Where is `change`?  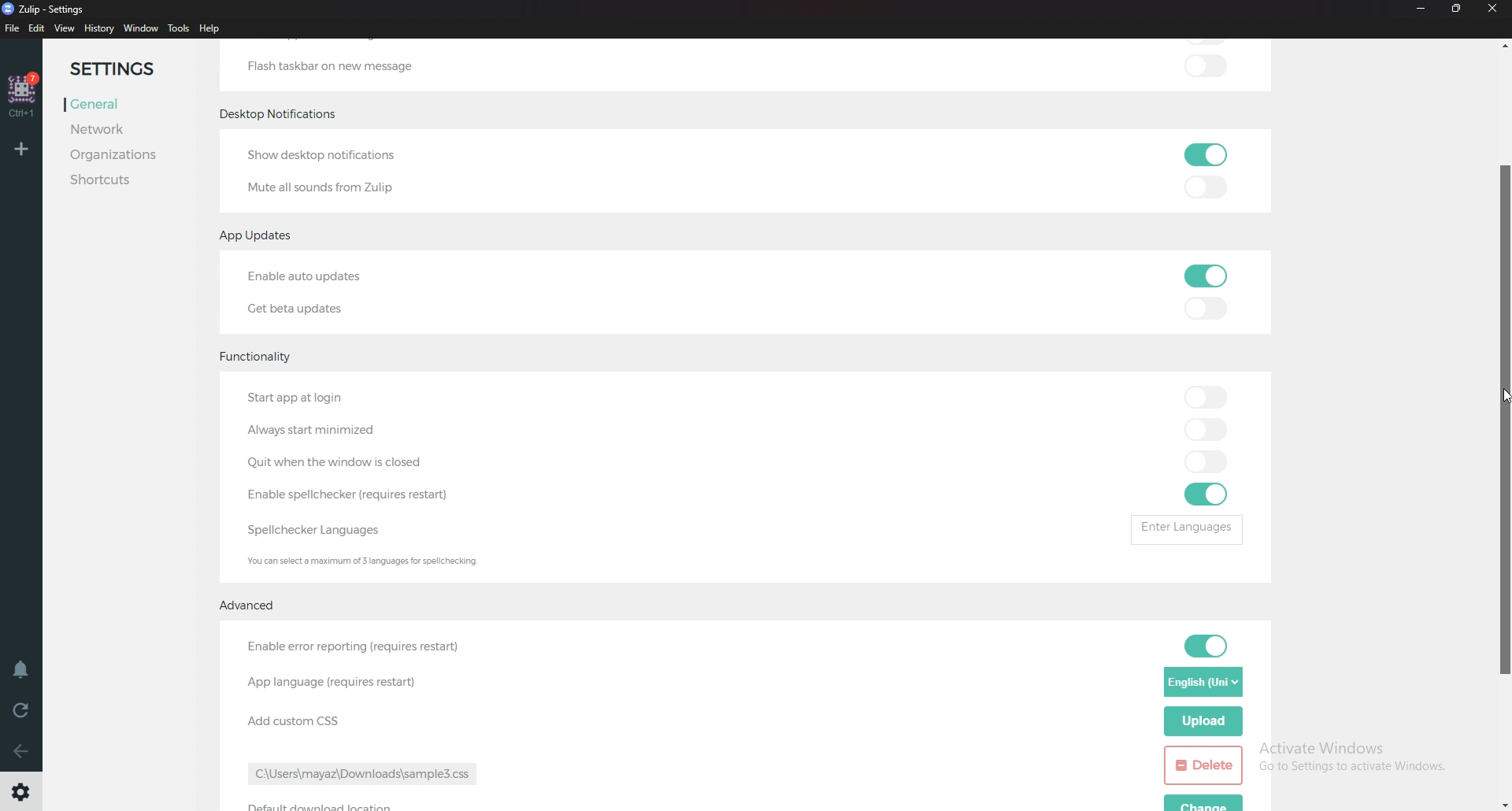
change is located at coordinates (1206, 802).